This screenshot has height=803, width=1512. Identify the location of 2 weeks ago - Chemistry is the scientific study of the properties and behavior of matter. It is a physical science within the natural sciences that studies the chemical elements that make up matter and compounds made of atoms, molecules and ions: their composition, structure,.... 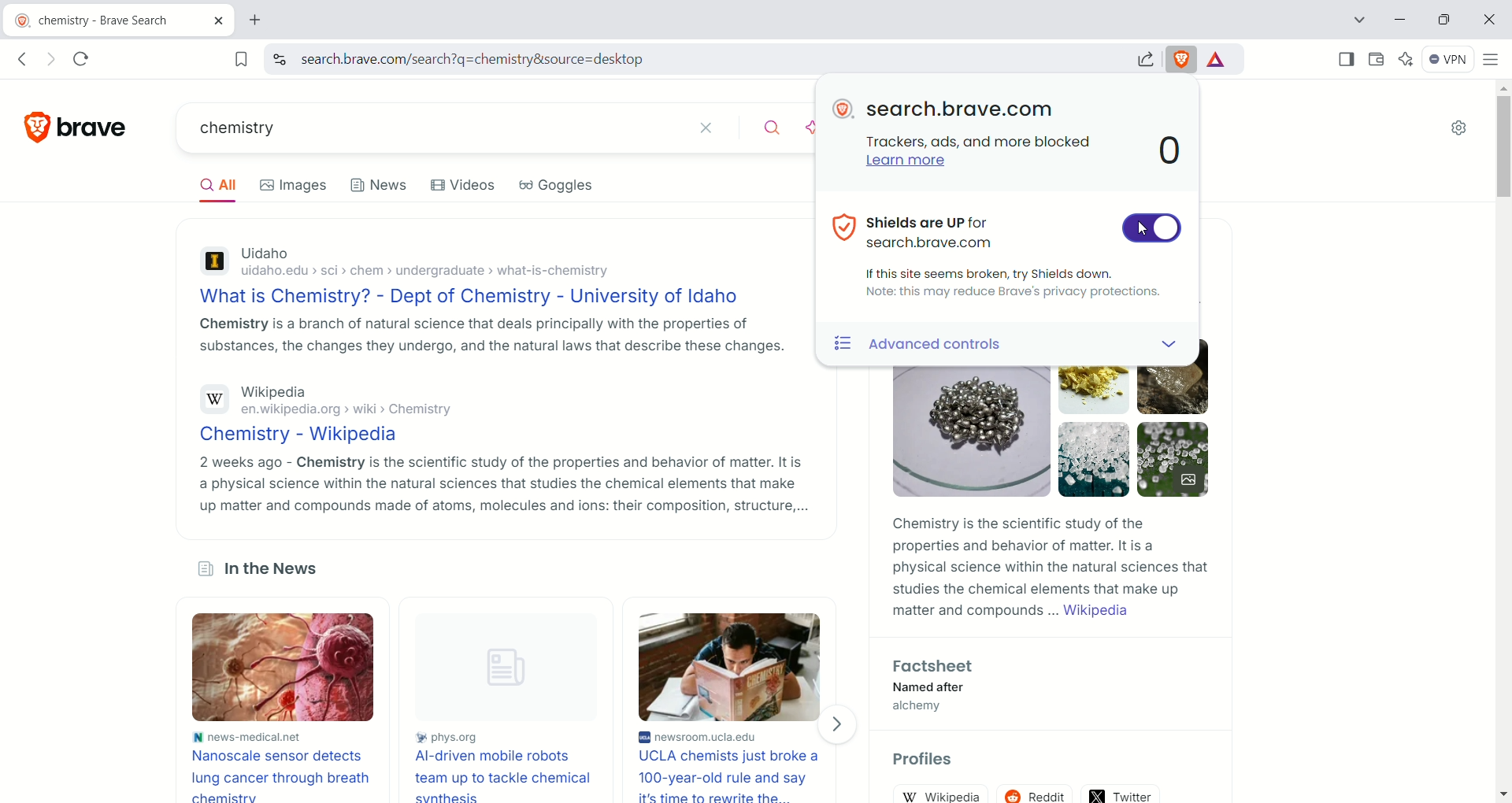
(500, 483).